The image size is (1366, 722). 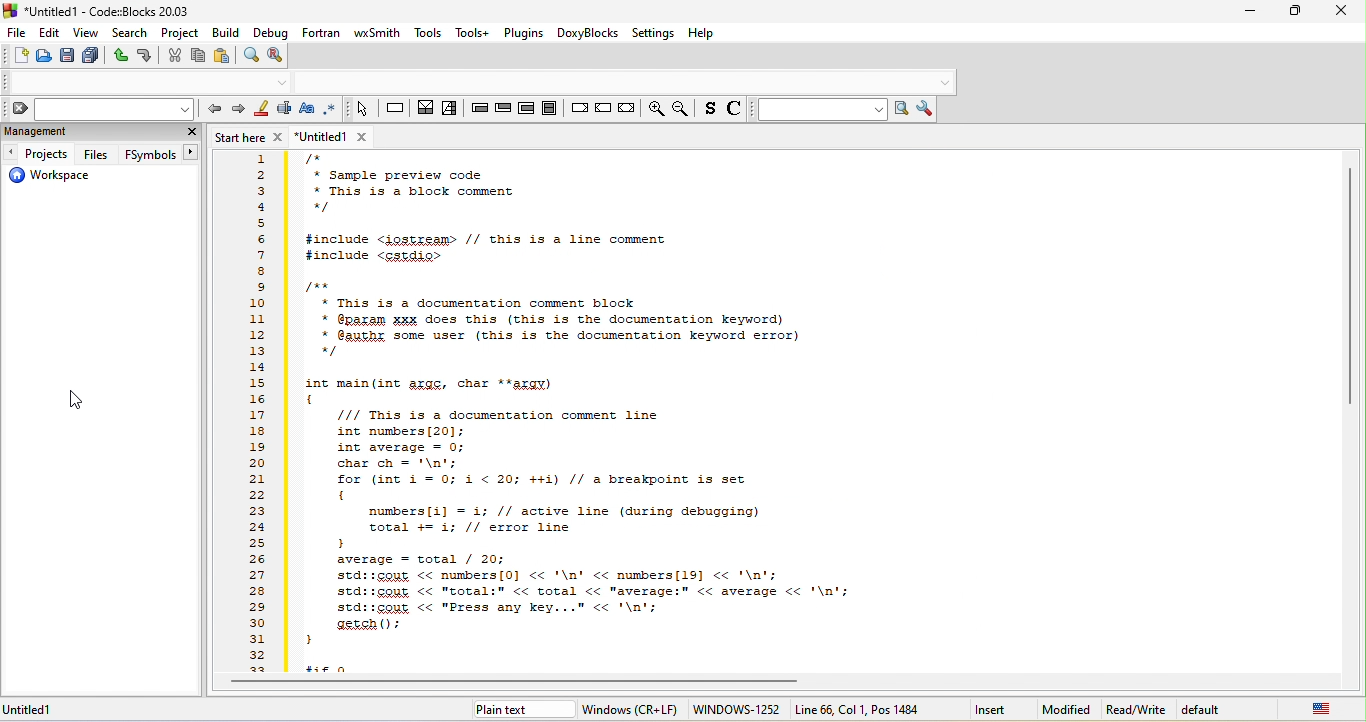 What do you see at coordinates (40, 710) in the screenshot?
I see `untitled 1` at bounding box center [40, 710].